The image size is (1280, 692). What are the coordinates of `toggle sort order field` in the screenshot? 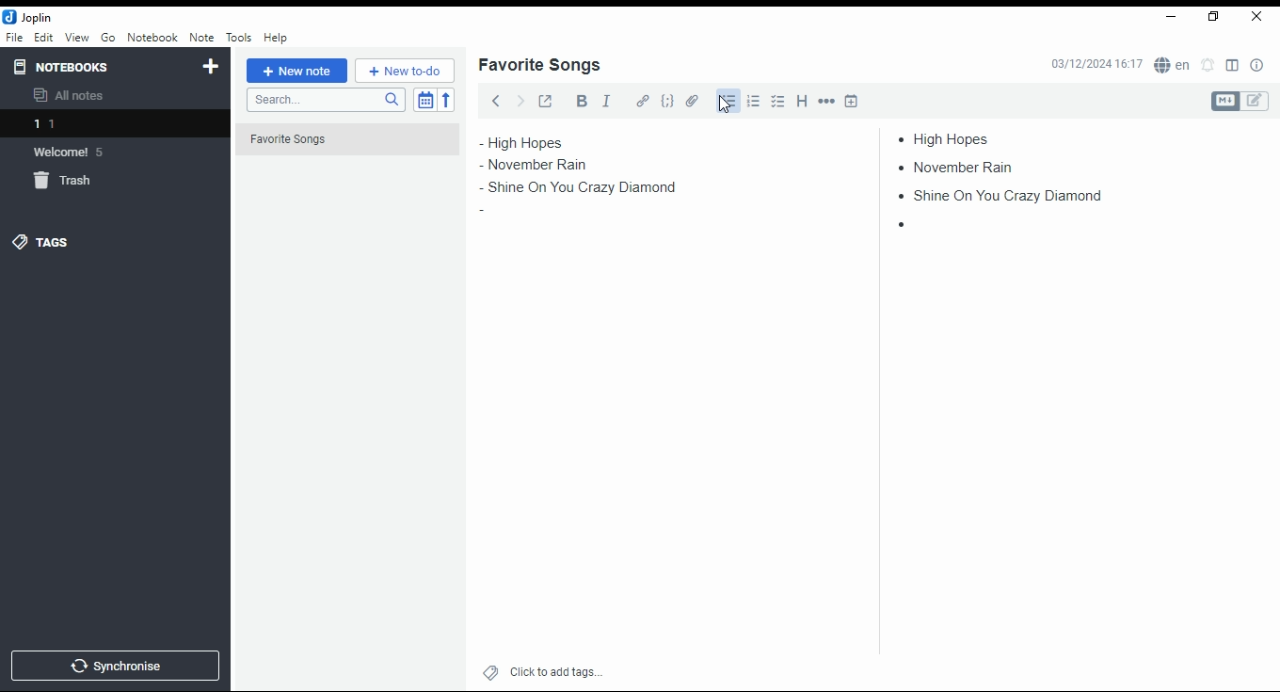 It's located at (425, 100).